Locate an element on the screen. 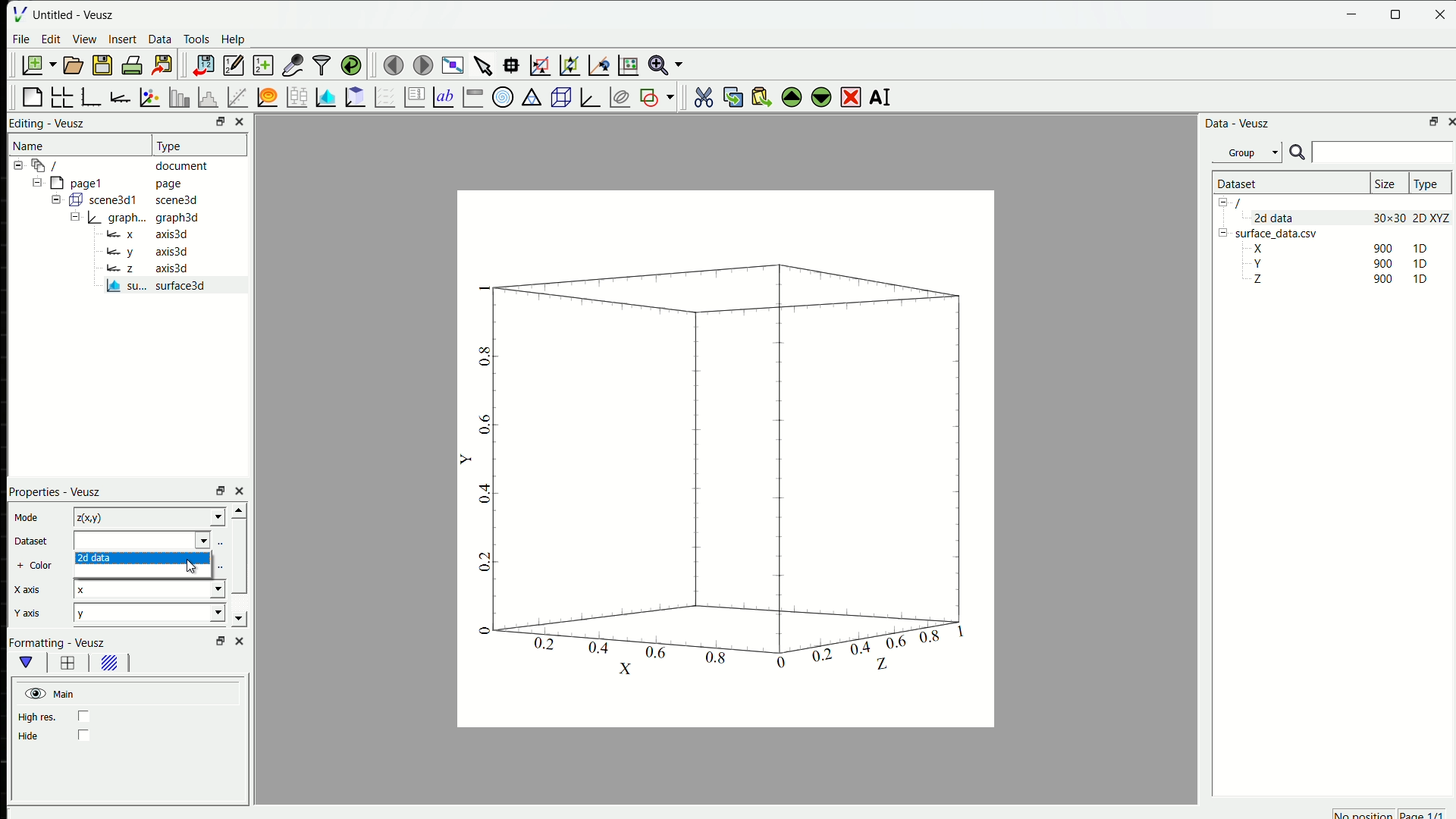 The width and height of the screenshot is (1456, 819). close is located at coordinates (1451, 120).